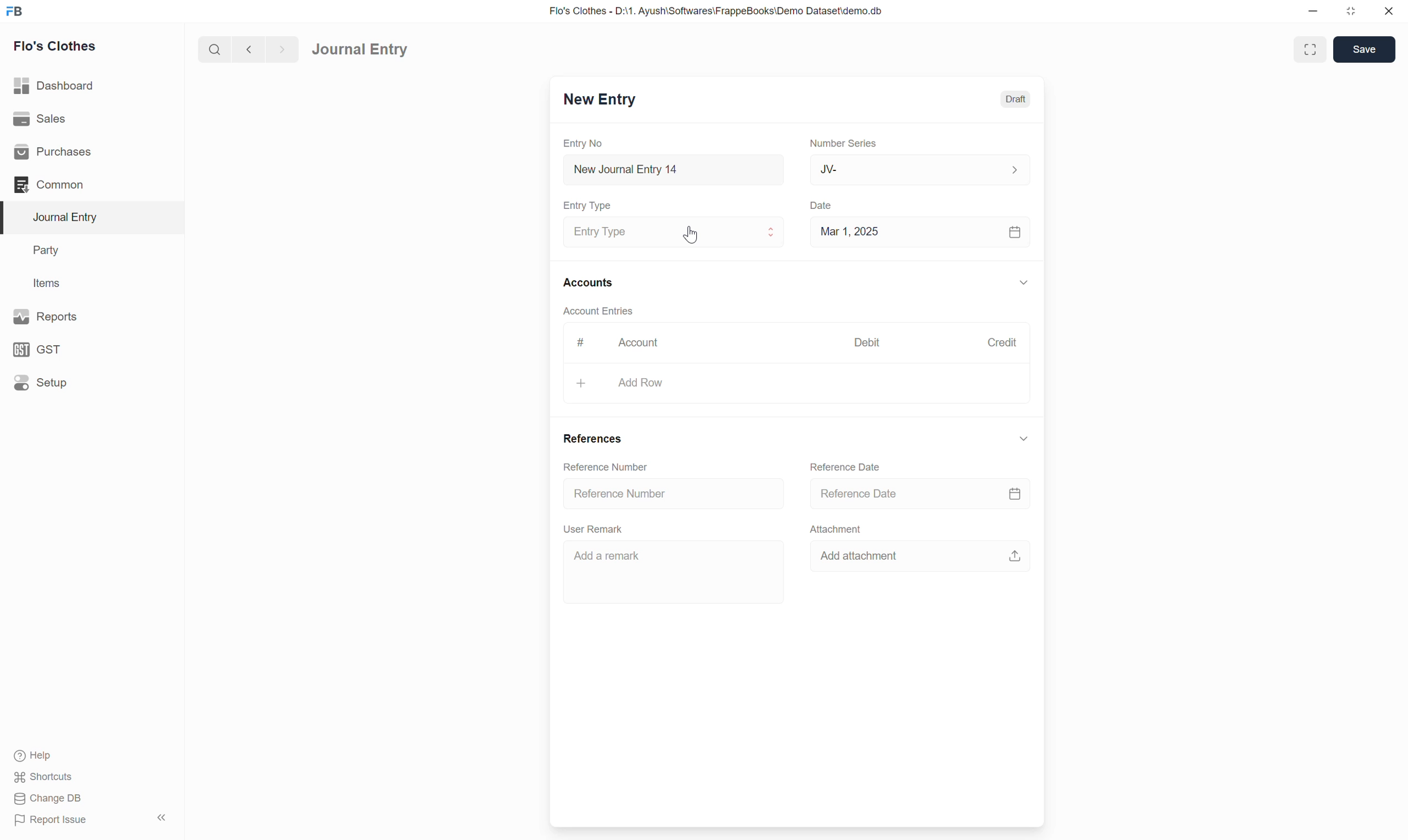  Describe the element at coordinates (850, 231) in the screenshot. I see `Mar 1, 2025` at that location.